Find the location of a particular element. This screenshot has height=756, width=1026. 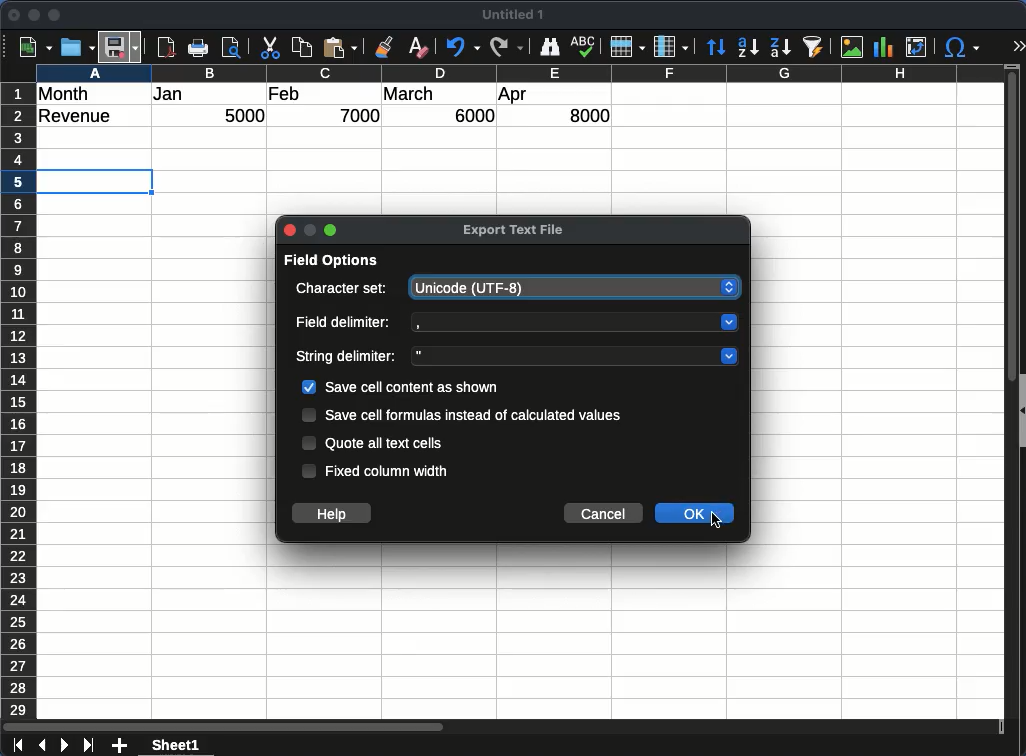

maximize is located at coordinates (330, 229).